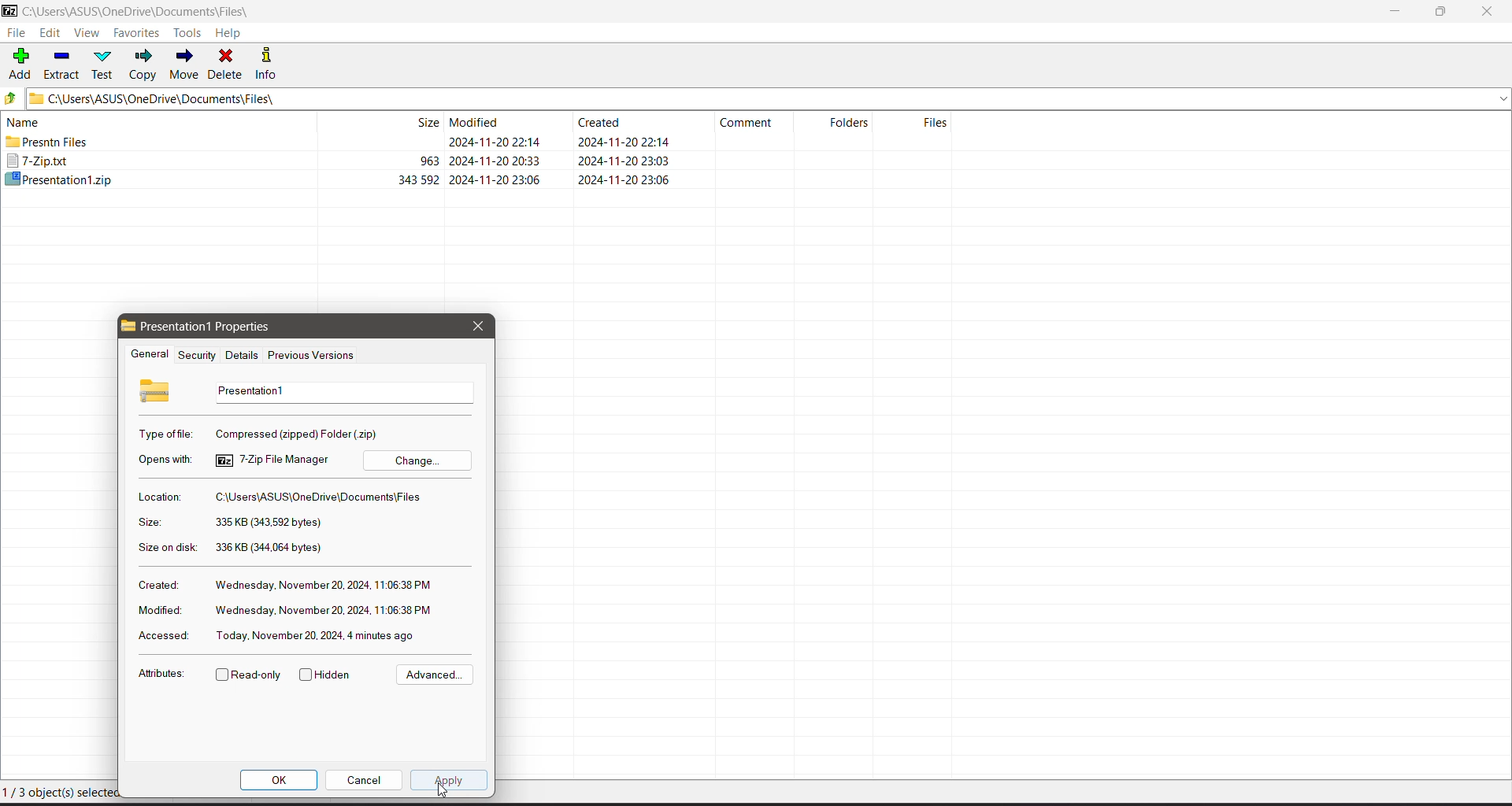 The width and height of the screenshot is (1512, 806). I want to click on Current Selection, so click(69, 794).